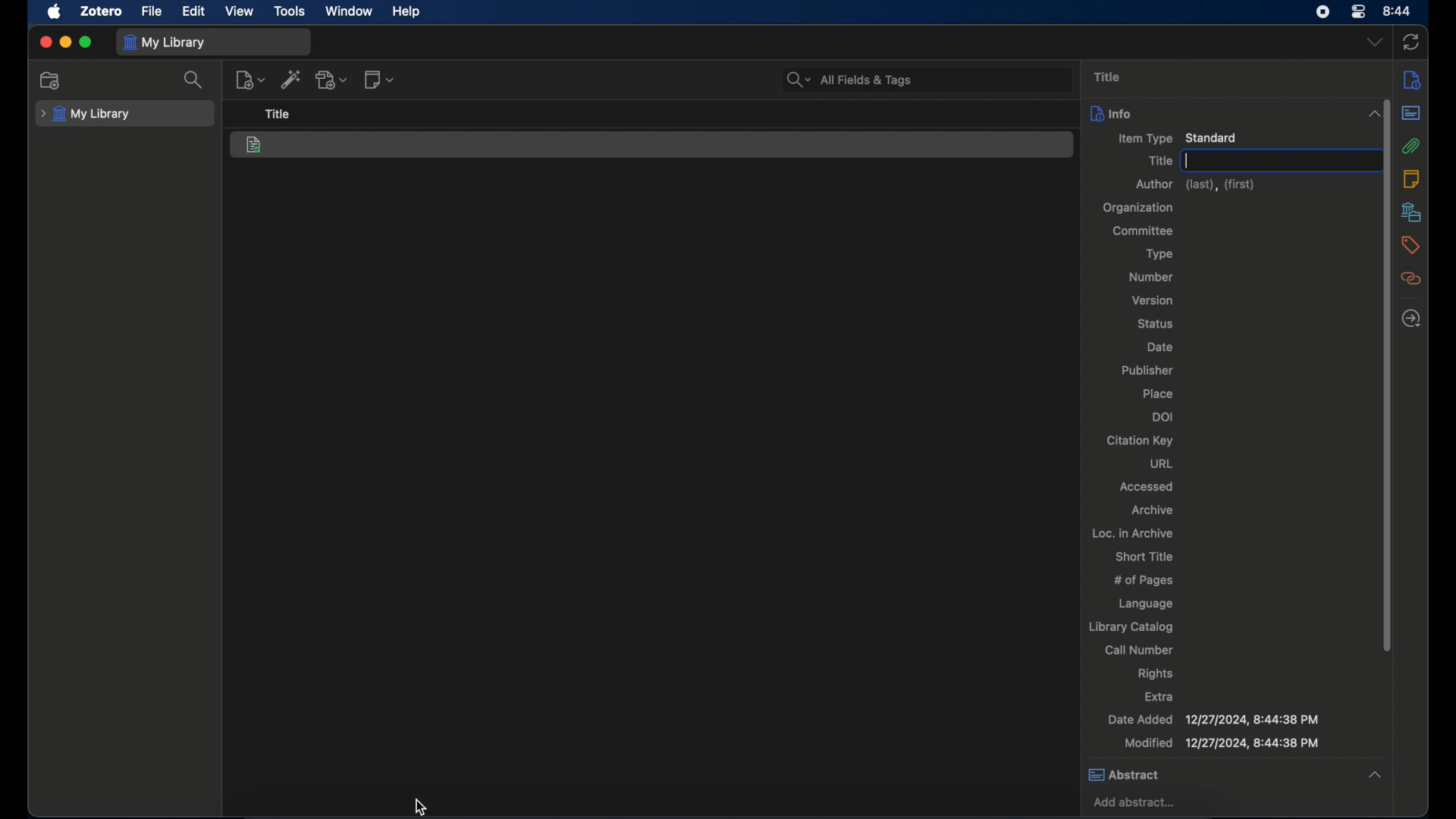 This screenshot has height=819, width=1456. I want to click on version, so click(1151, 300).